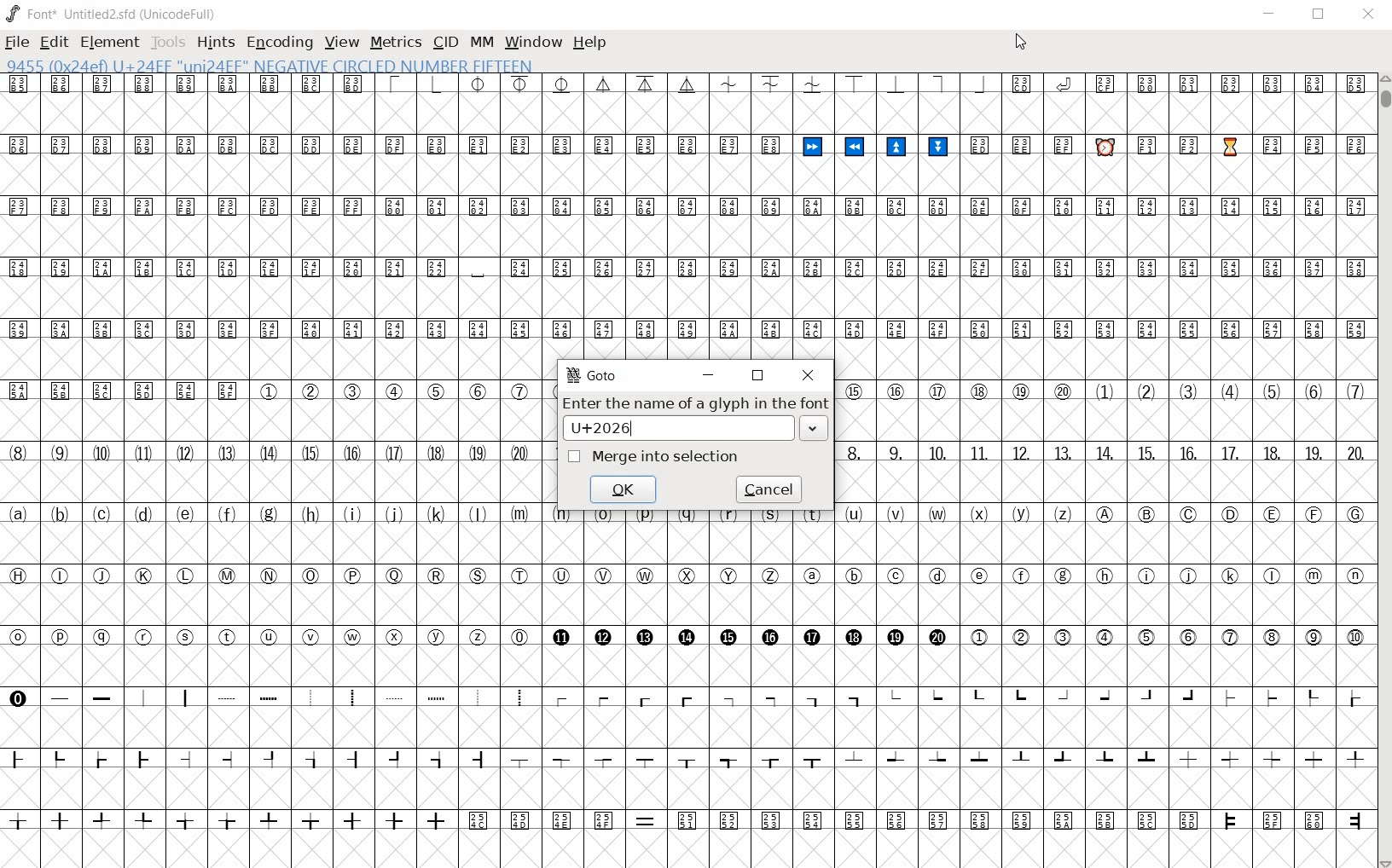 The height and width of the screenshot is (868, 1392). Describe the element at coordinates (1383, 471) in the screenshot. I see `SCROLLBAR` at that location.